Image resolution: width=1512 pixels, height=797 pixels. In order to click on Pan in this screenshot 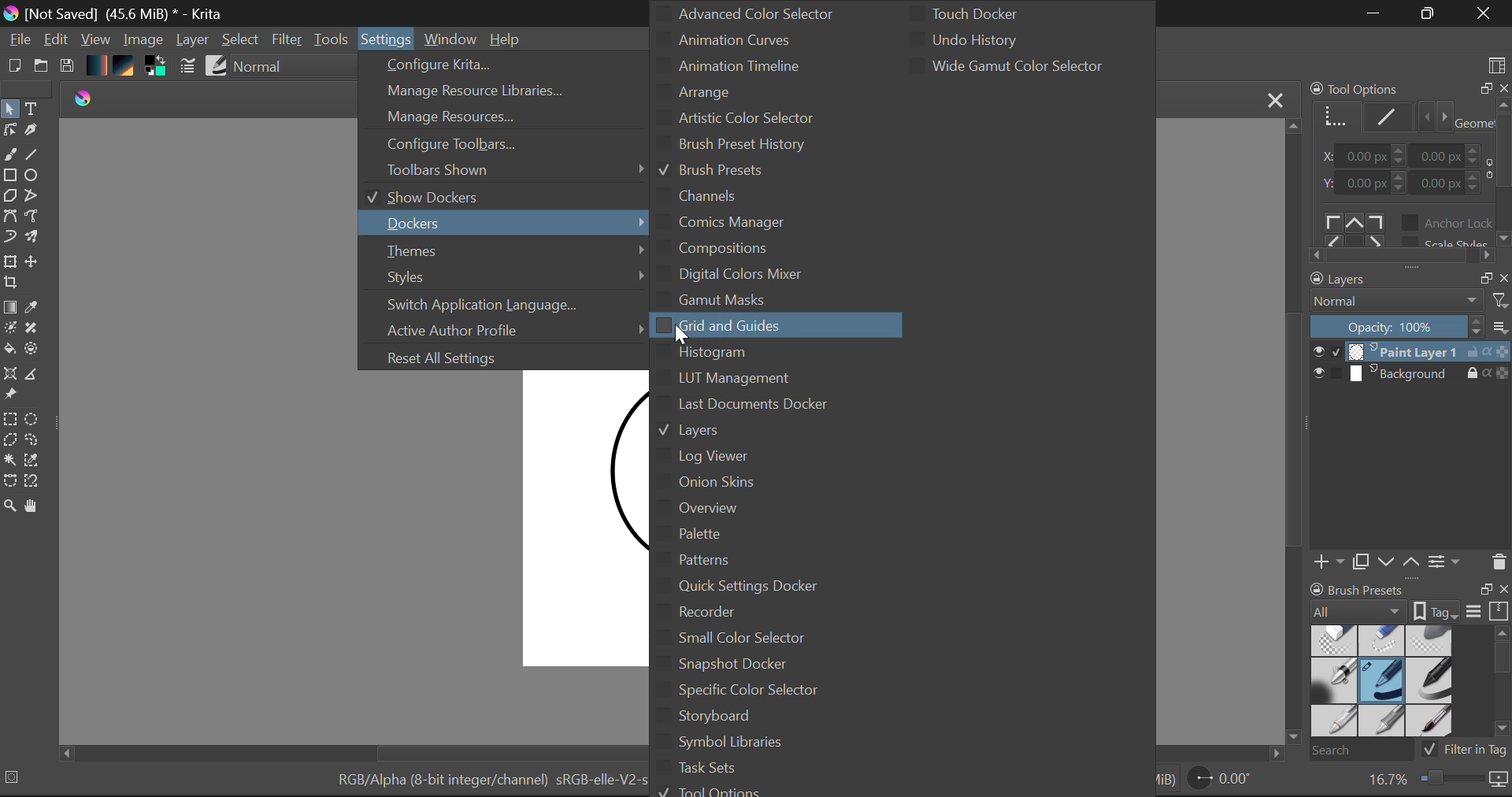, I will do `click(35, 506)`.